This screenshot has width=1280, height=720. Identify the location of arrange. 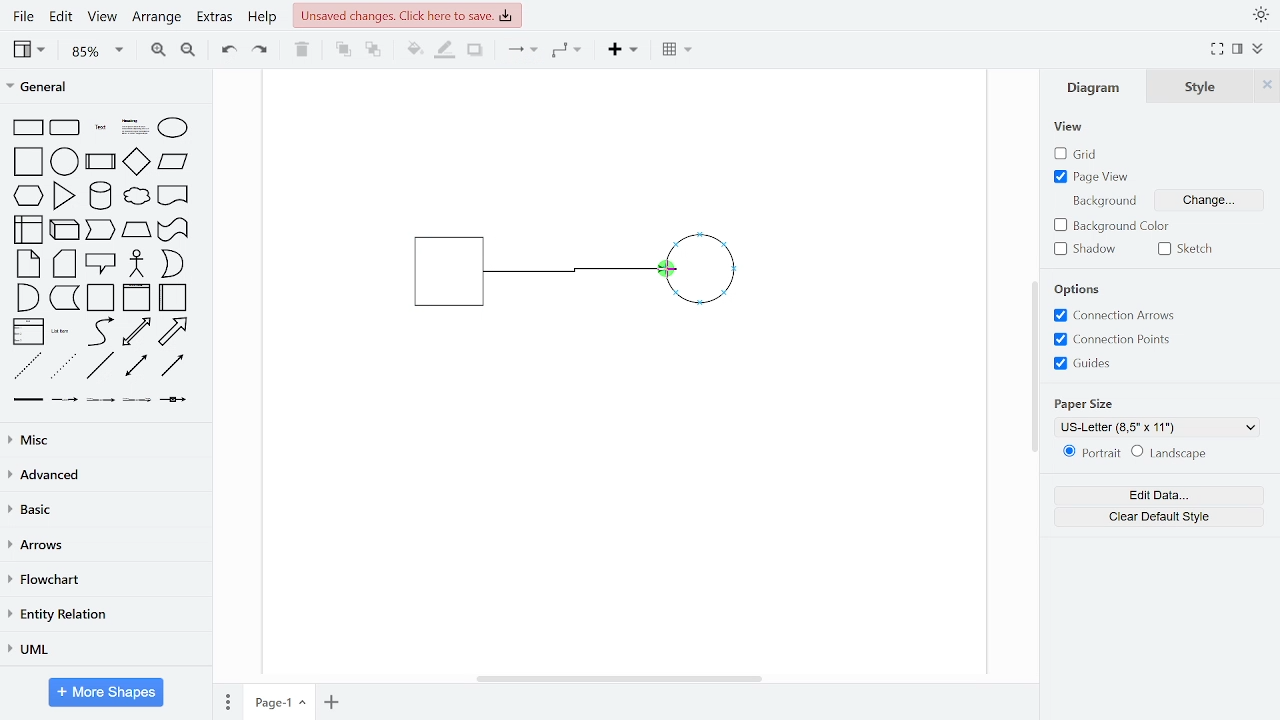
(157, 18).